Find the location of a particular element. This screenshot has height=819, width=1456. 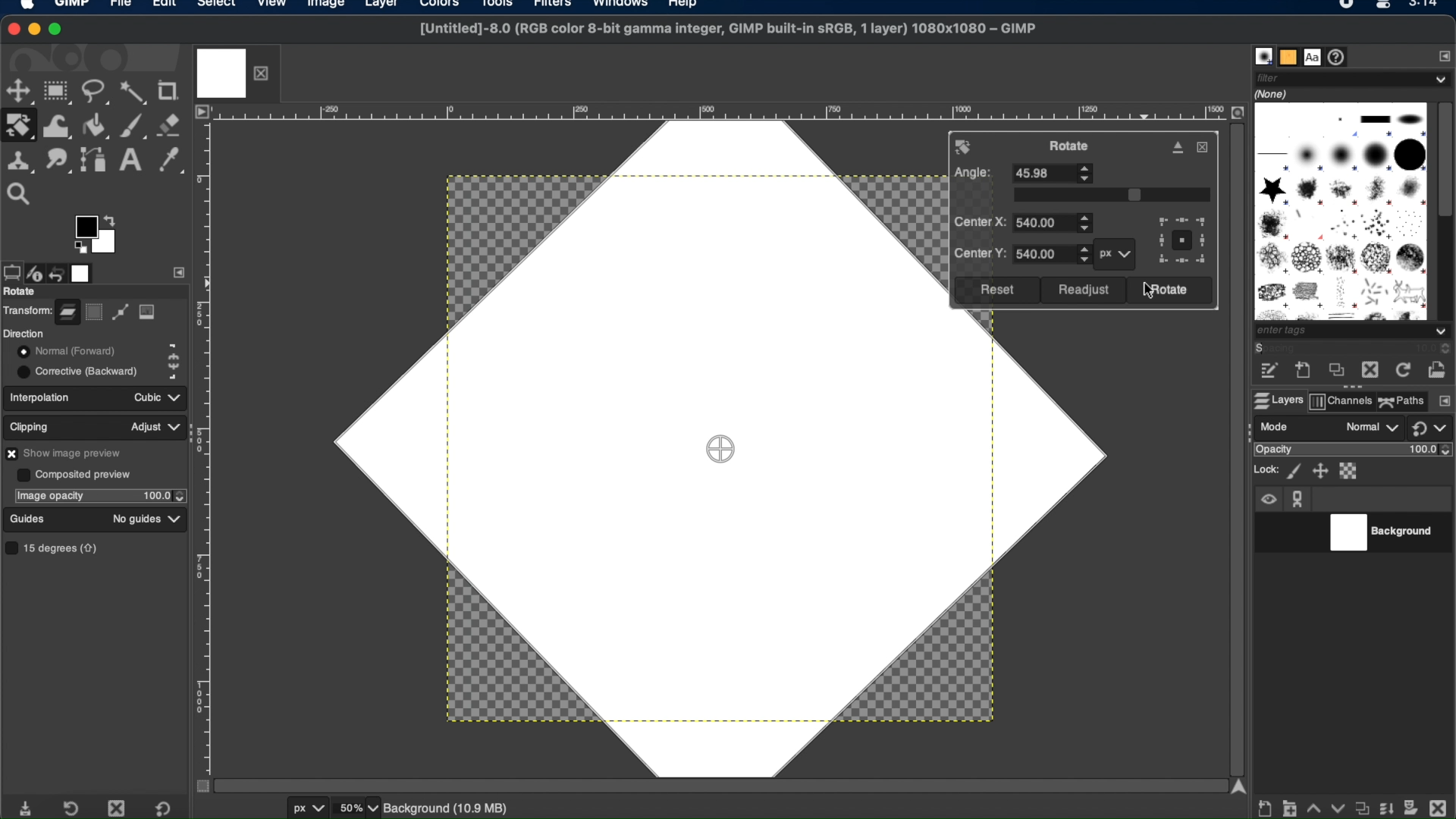

lock is located at coordinates (1264, 469).